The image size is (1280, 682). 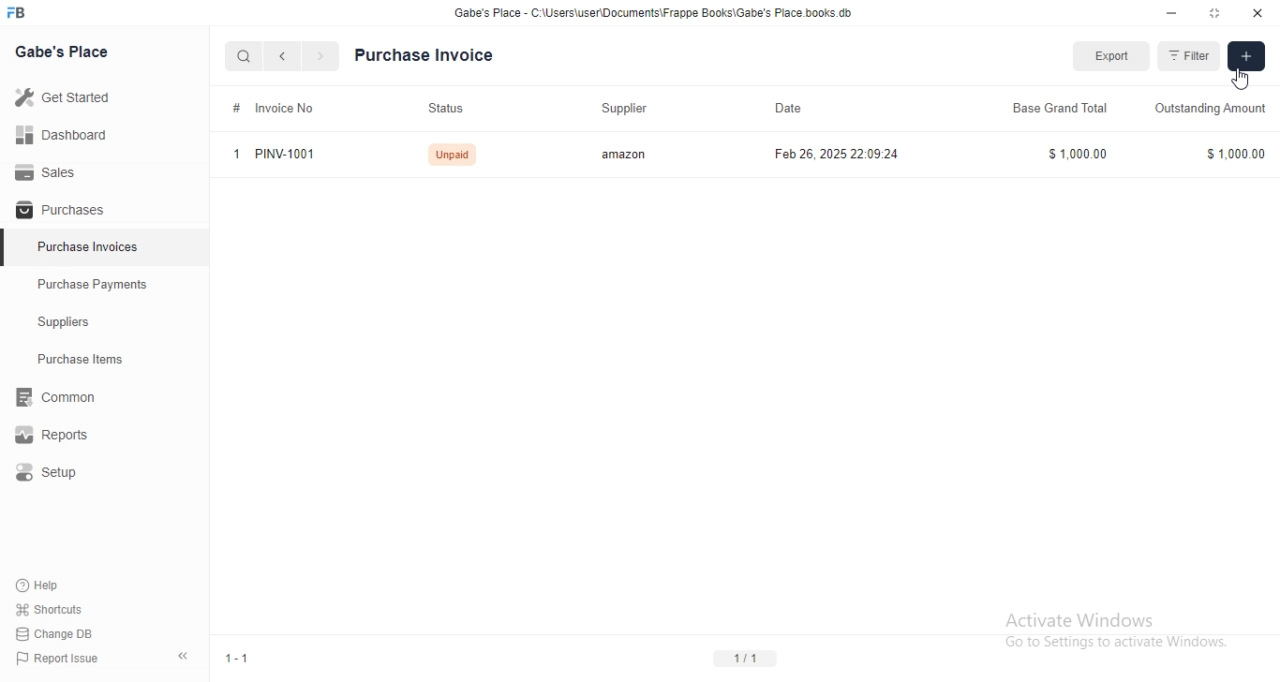 I want to click on Suppliers, so click(x=104, y=321).